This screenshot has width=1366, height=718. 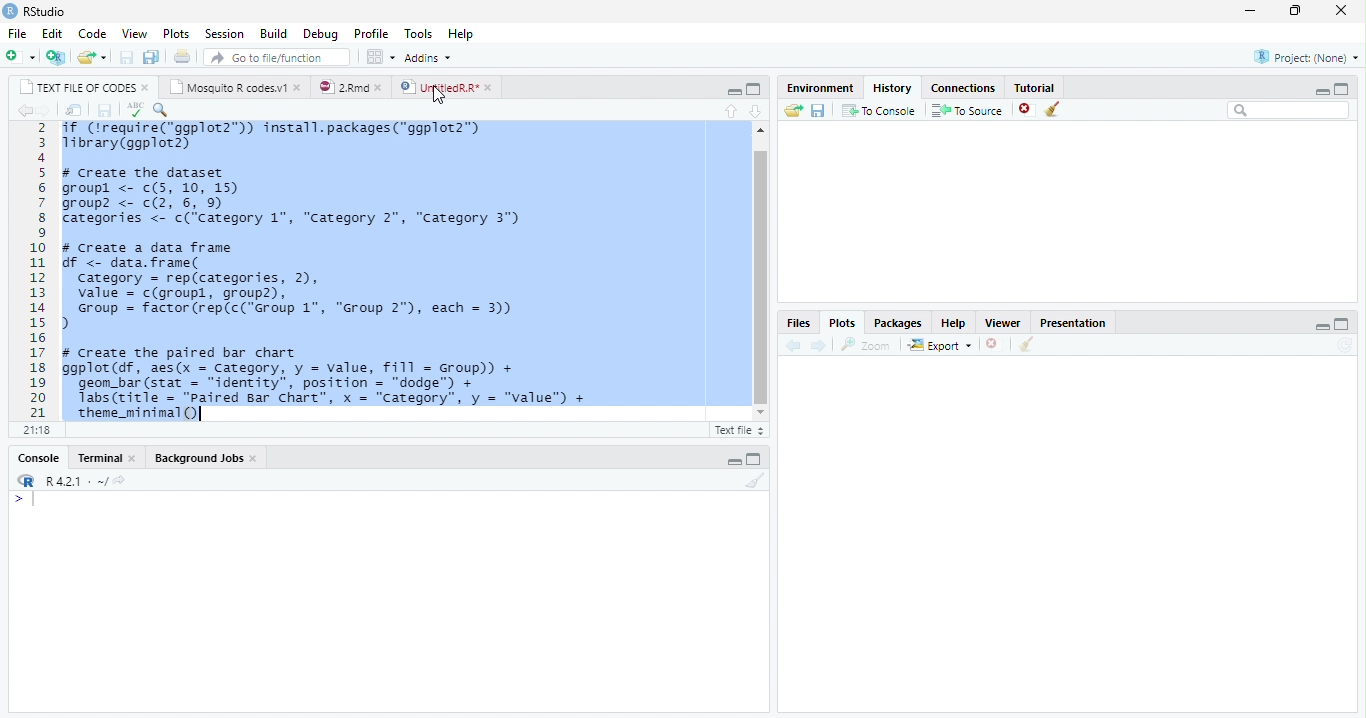 What do you see at coordinates (415, 33) in the screenshot?
I see `tools` at bounding box center [415, 33].